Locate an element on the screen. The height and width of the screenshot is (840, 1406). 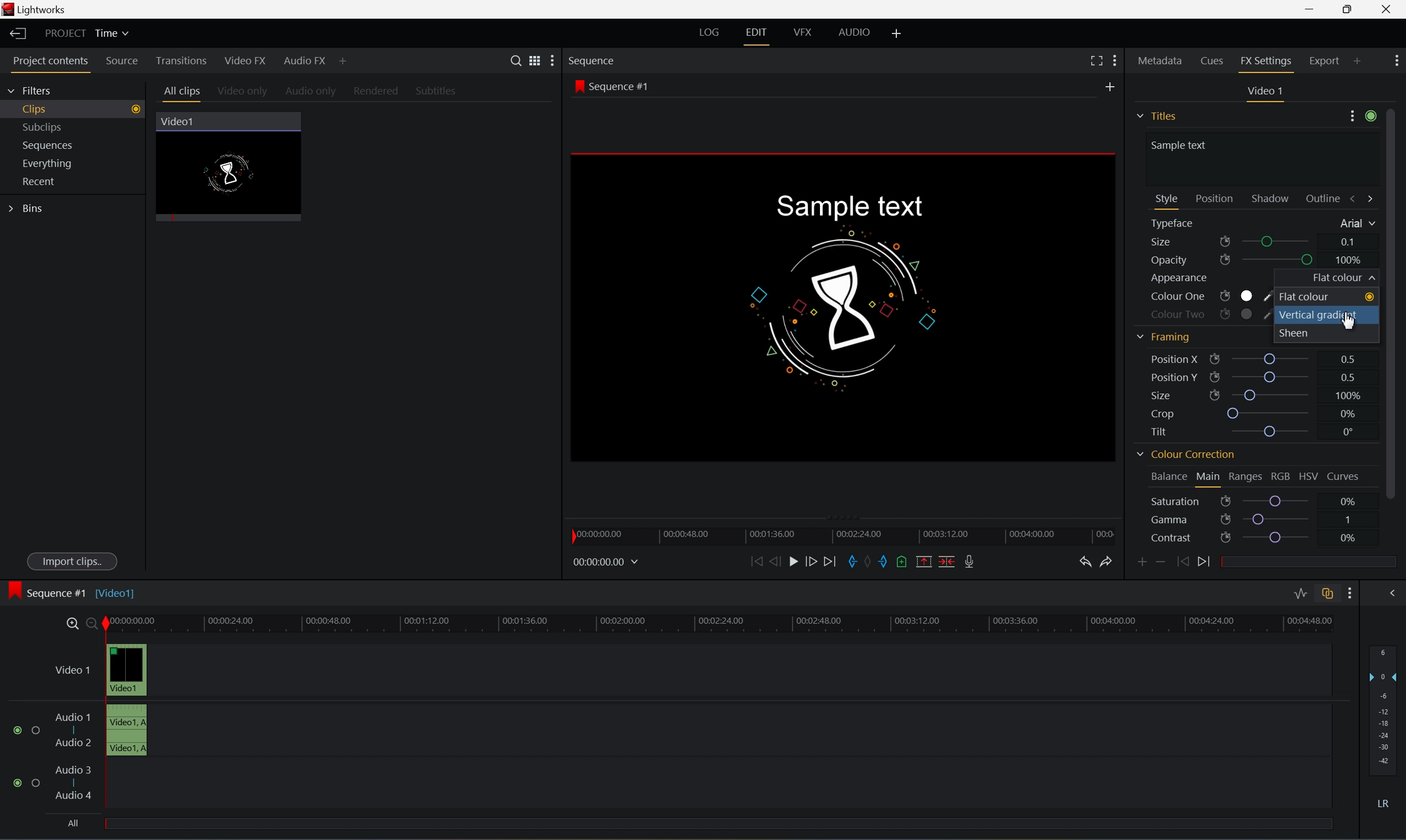
redo is located at coordinates (1109, 562).